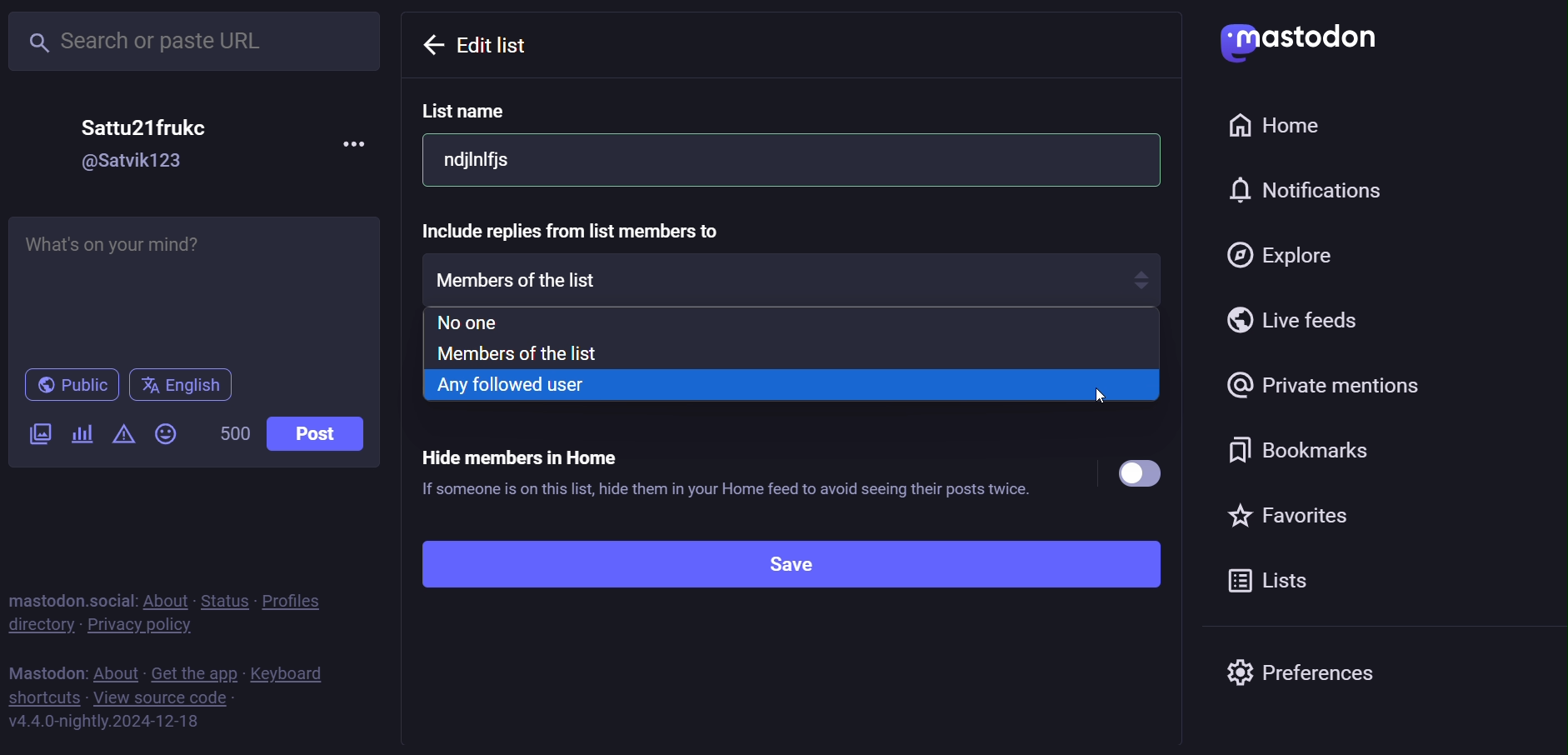 The height and width of the screenshot is (755, 1568). I want to click on post, so click(327, 433).